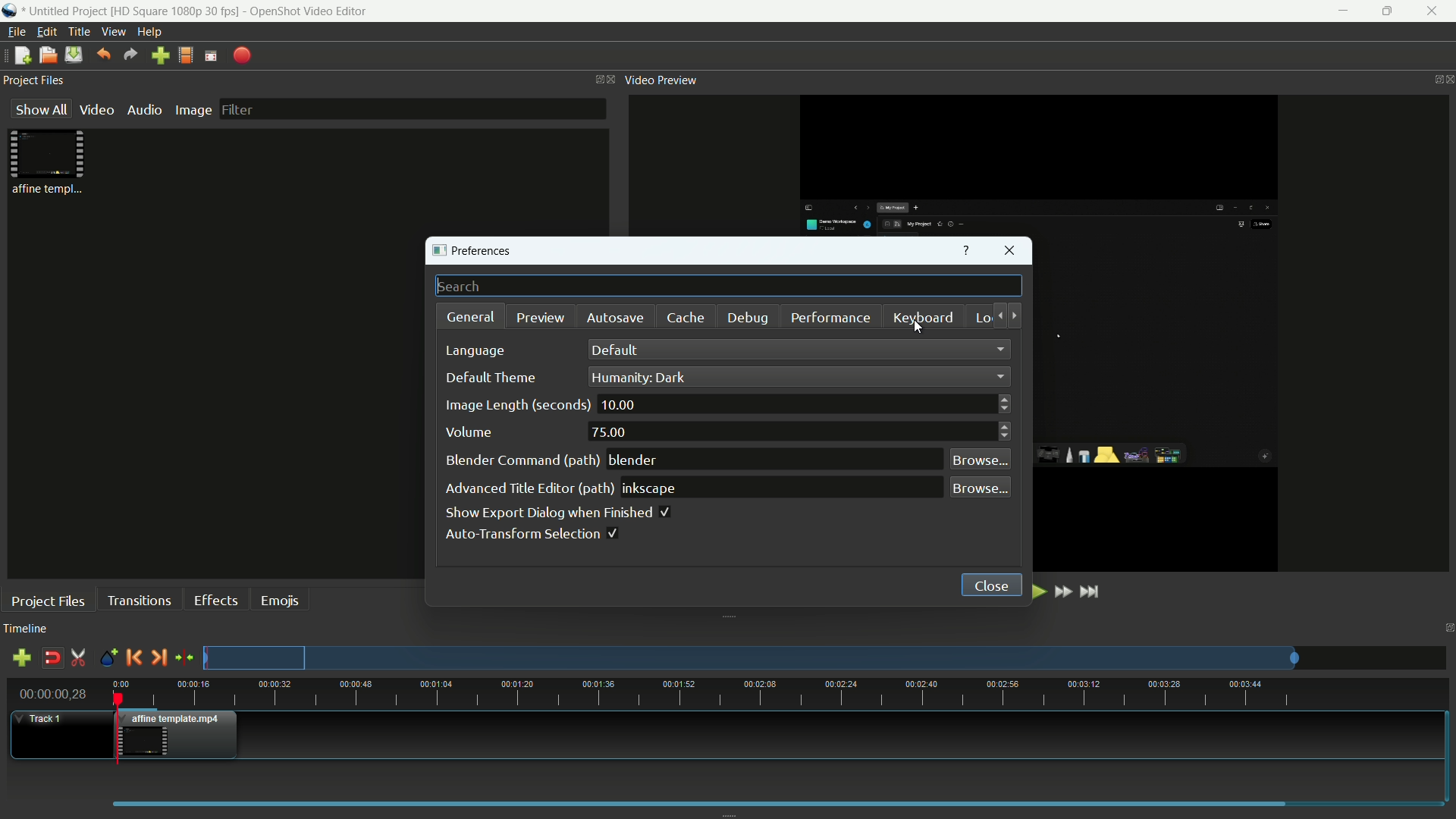  What do you see at coordinates (79, 31) in the screenshot?
I see `title menu` at bounding box center [79, 31].